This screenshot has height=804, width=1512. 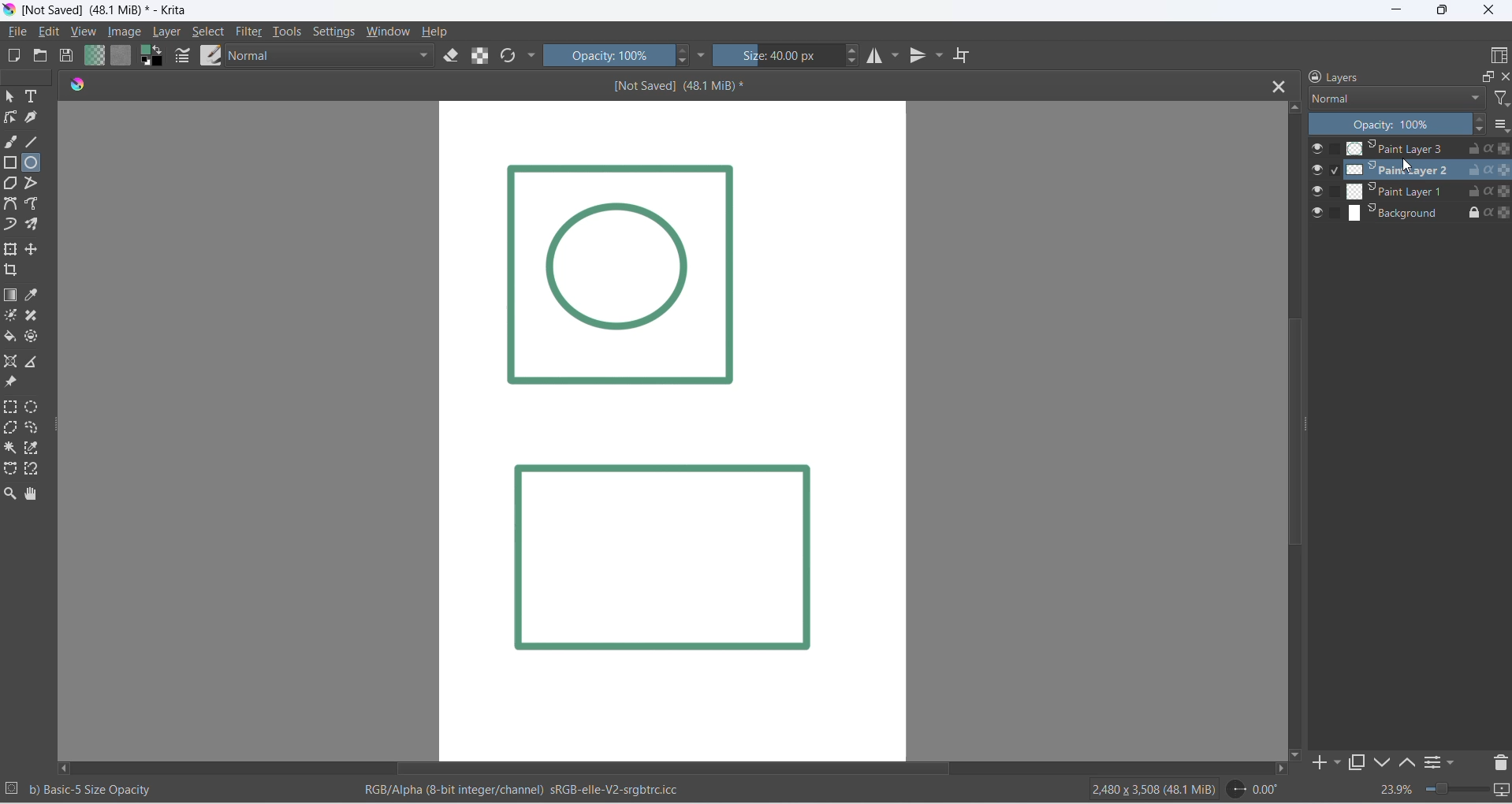 What do you see at coordinates (10, 163) in the screenshot?
I see `rectangle tool` at bounding box center [10, 163].